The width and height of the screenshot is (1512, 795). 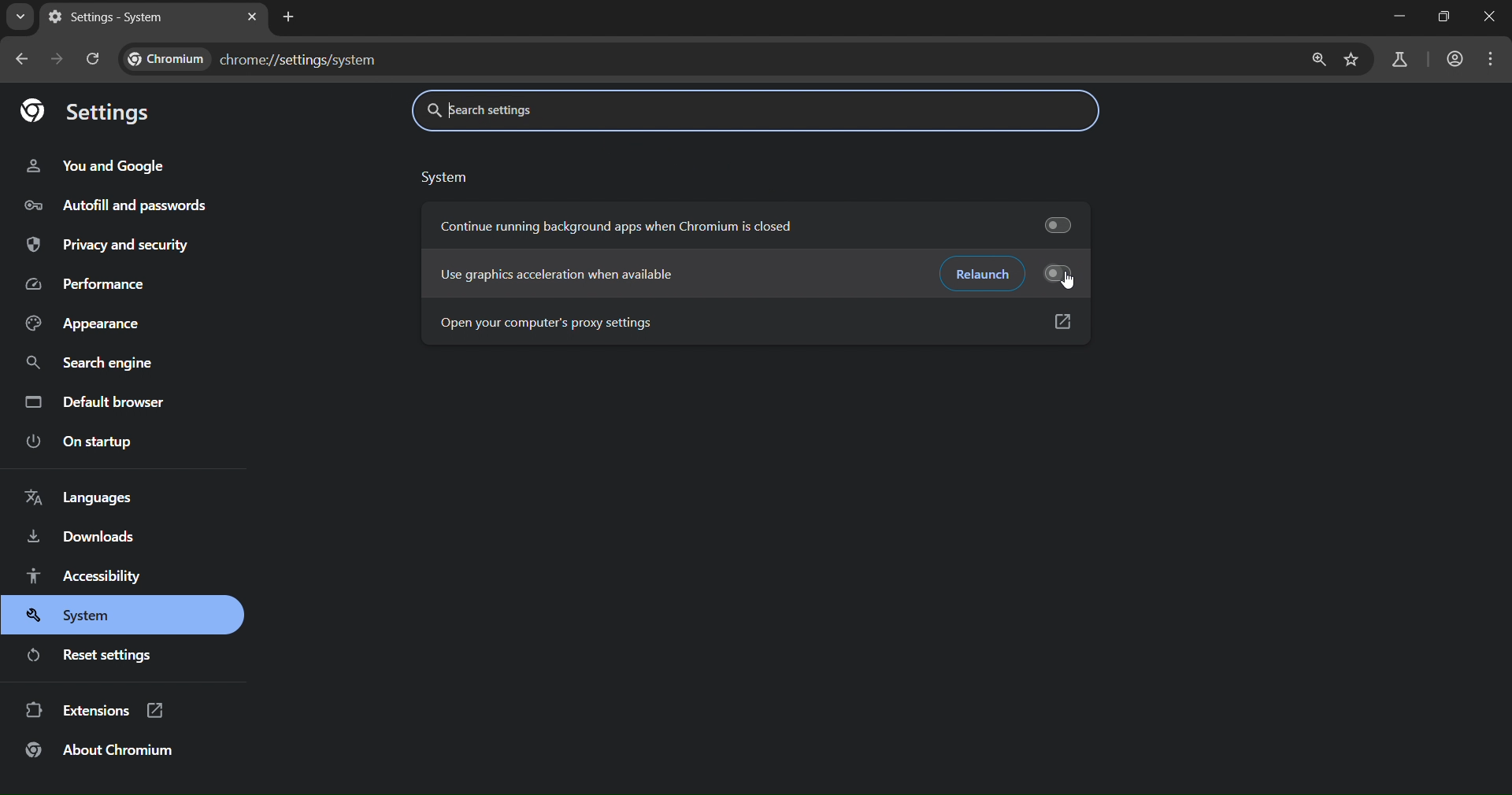 I want to click on Refurbish, so click(x=977, y=274).